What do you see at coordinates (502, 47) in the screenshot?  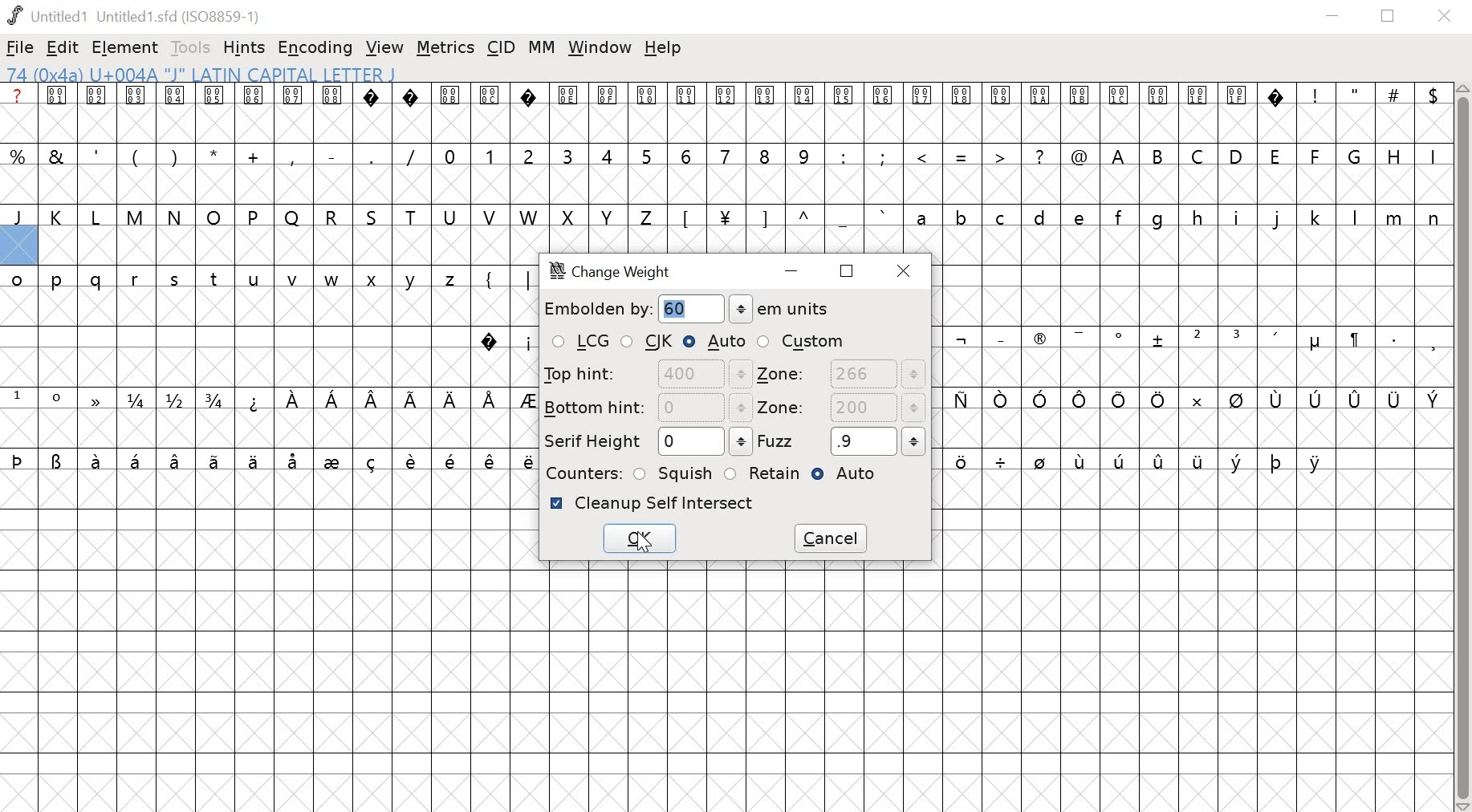 I see `CID` at bounding box center [502, 47].